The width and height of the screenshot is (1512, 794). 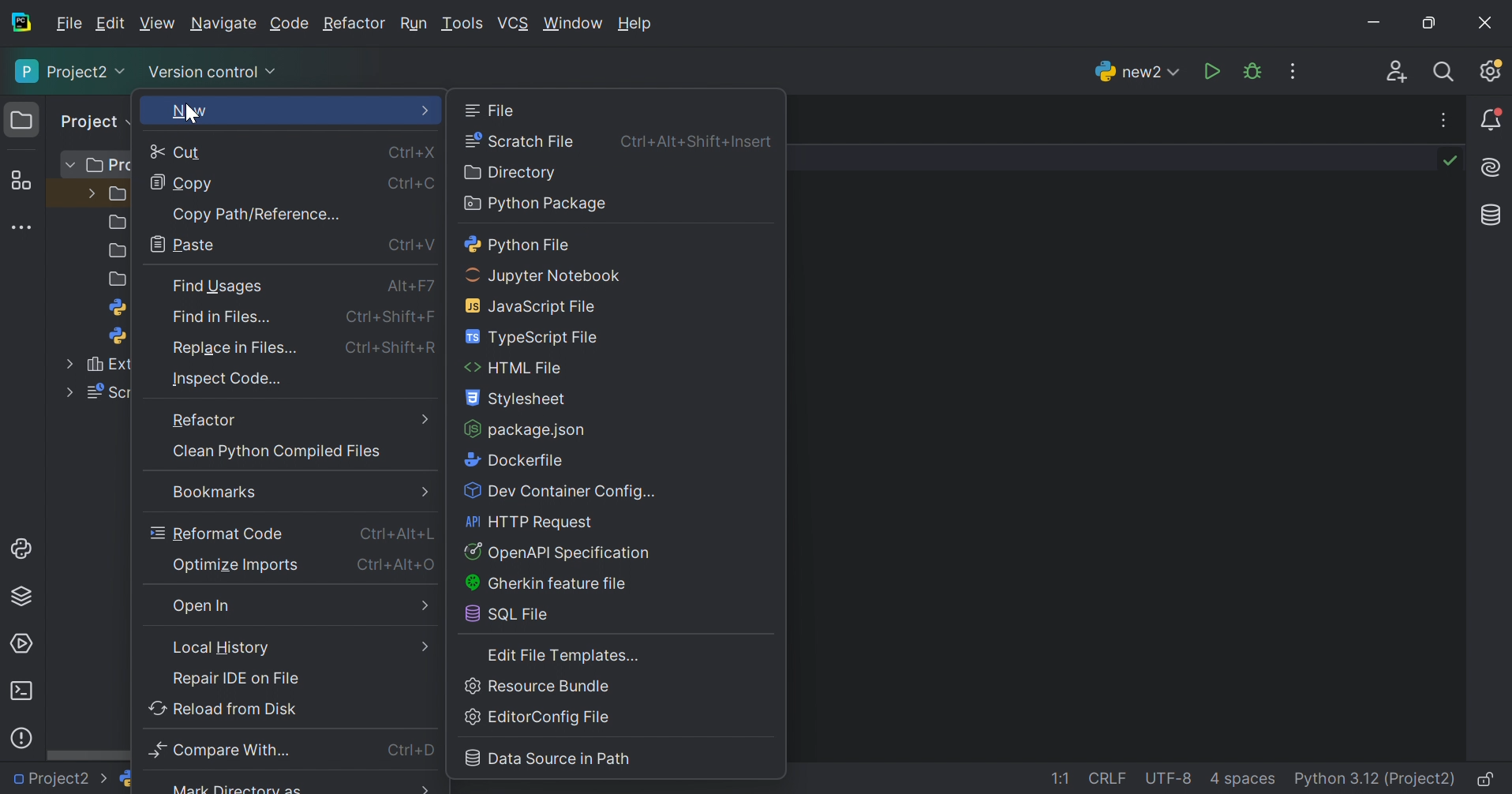 What do you see at coordinates (1492, 119) in the screenshot?
I see `Notifications` at bounding box center [1492, 119].